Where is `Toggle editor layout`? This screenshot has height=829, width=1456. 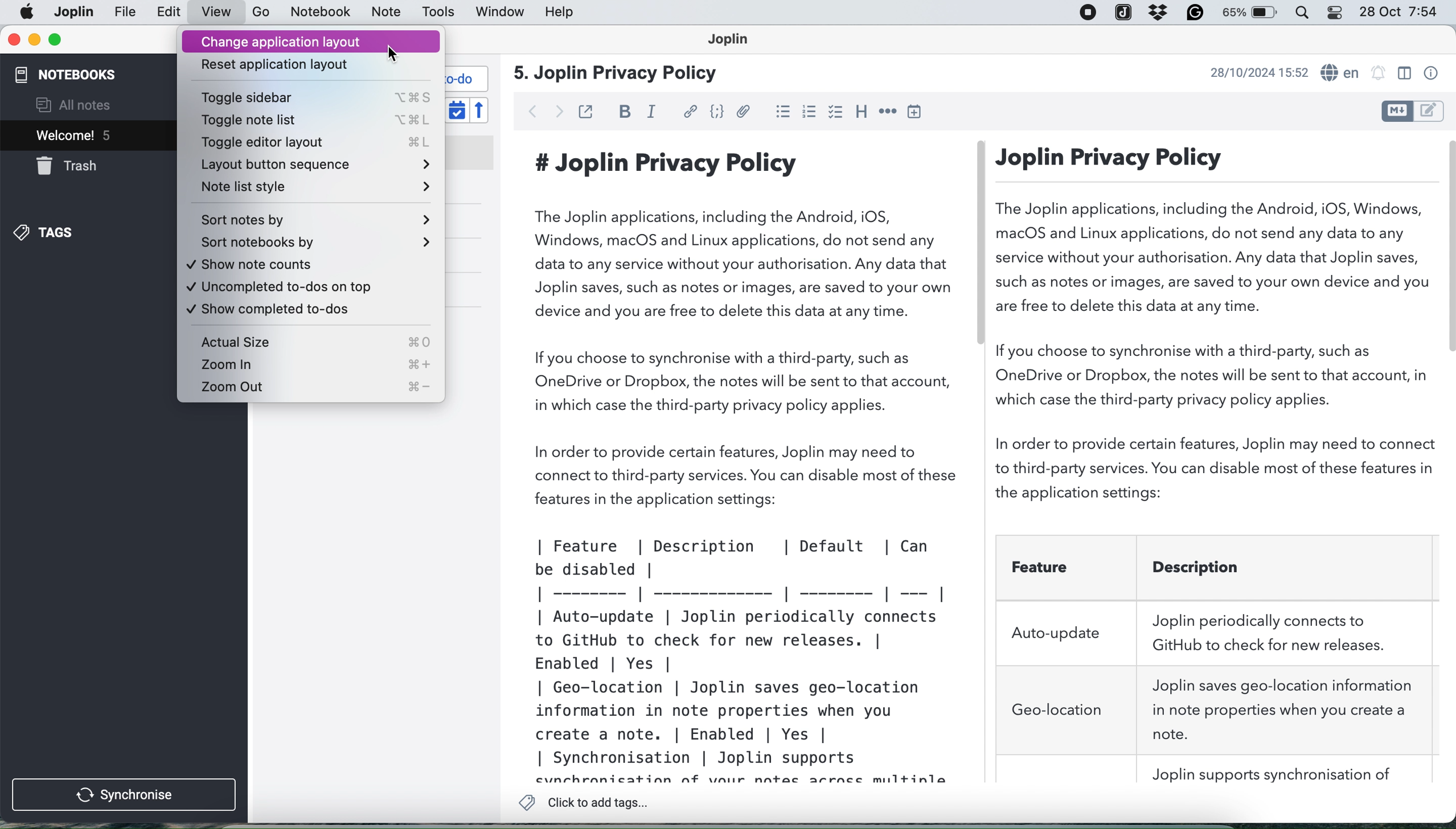 Toggle editor layout is located at coordinates (312, 145).